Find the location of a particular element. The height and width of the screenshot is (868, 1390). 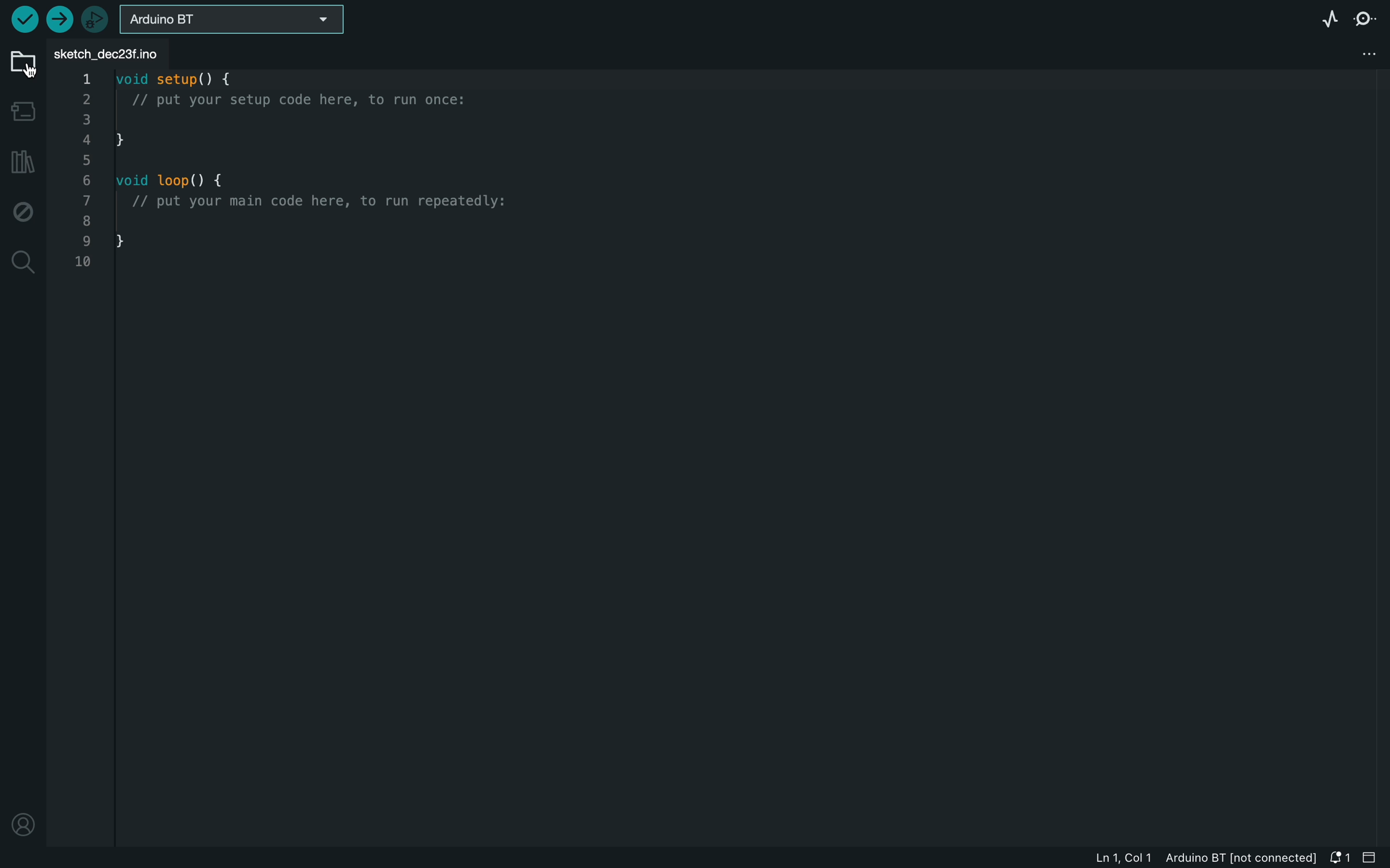

folder is located at coordinates (21, 65).